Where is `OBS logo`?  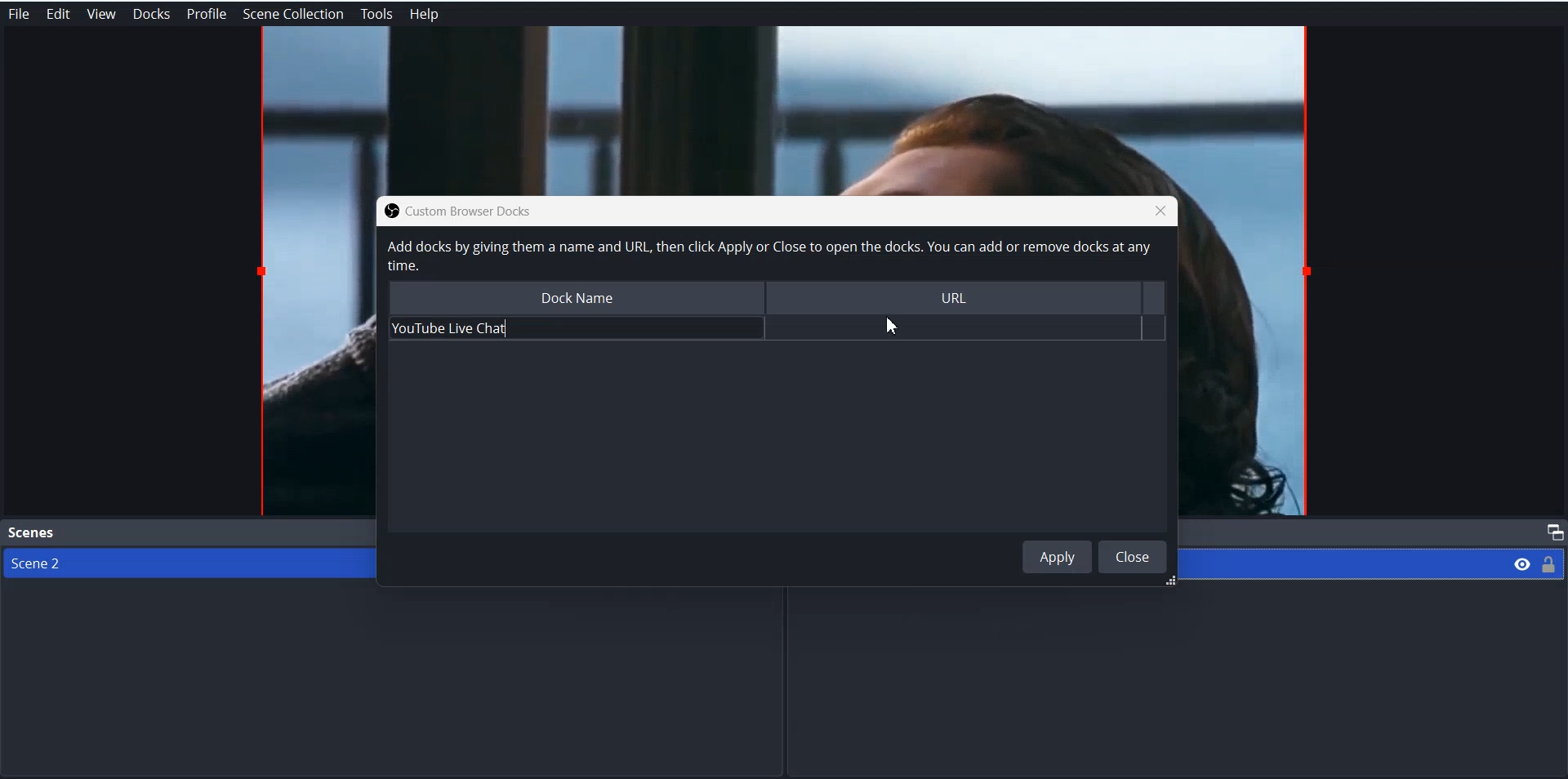 OBS logo is located at coordinates (387, 211).